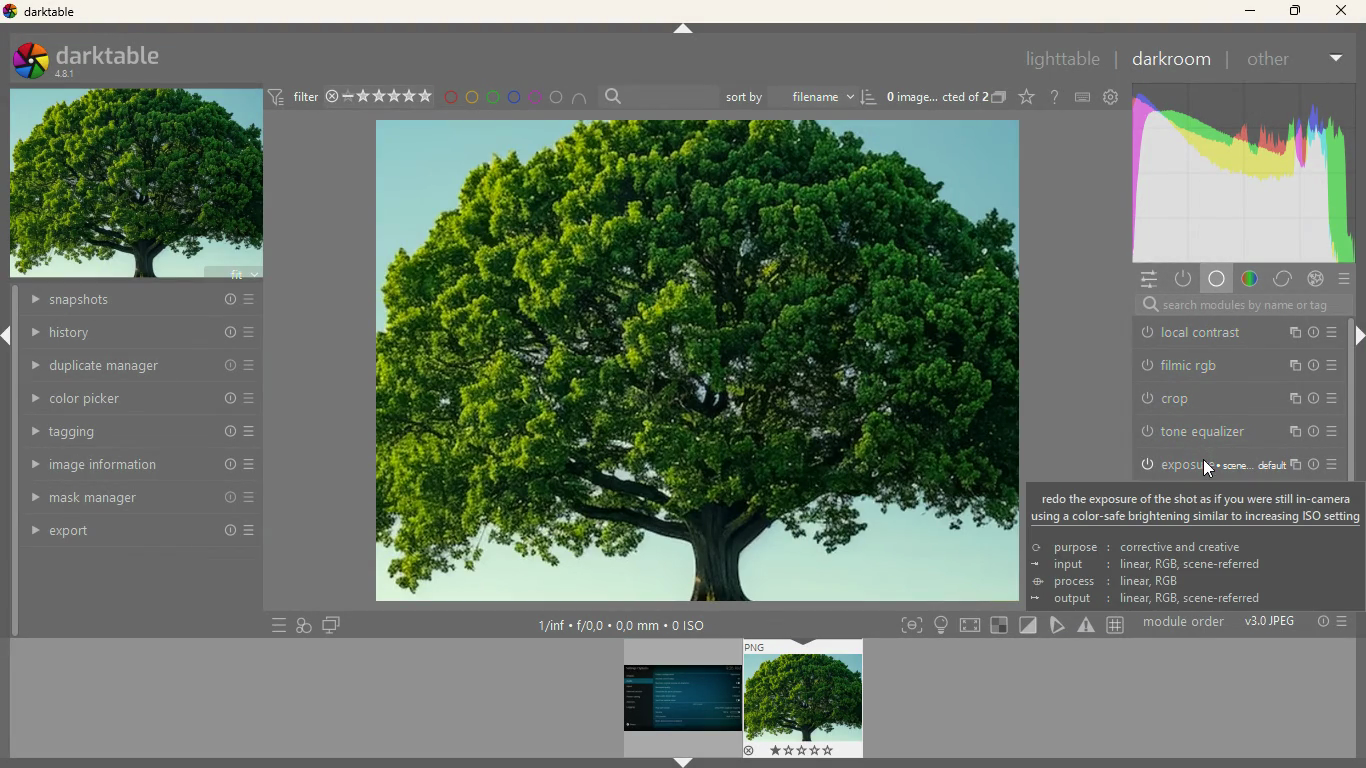  Describe the element at coordinates (1319, 625) in the screenshot. I see `` at that location.